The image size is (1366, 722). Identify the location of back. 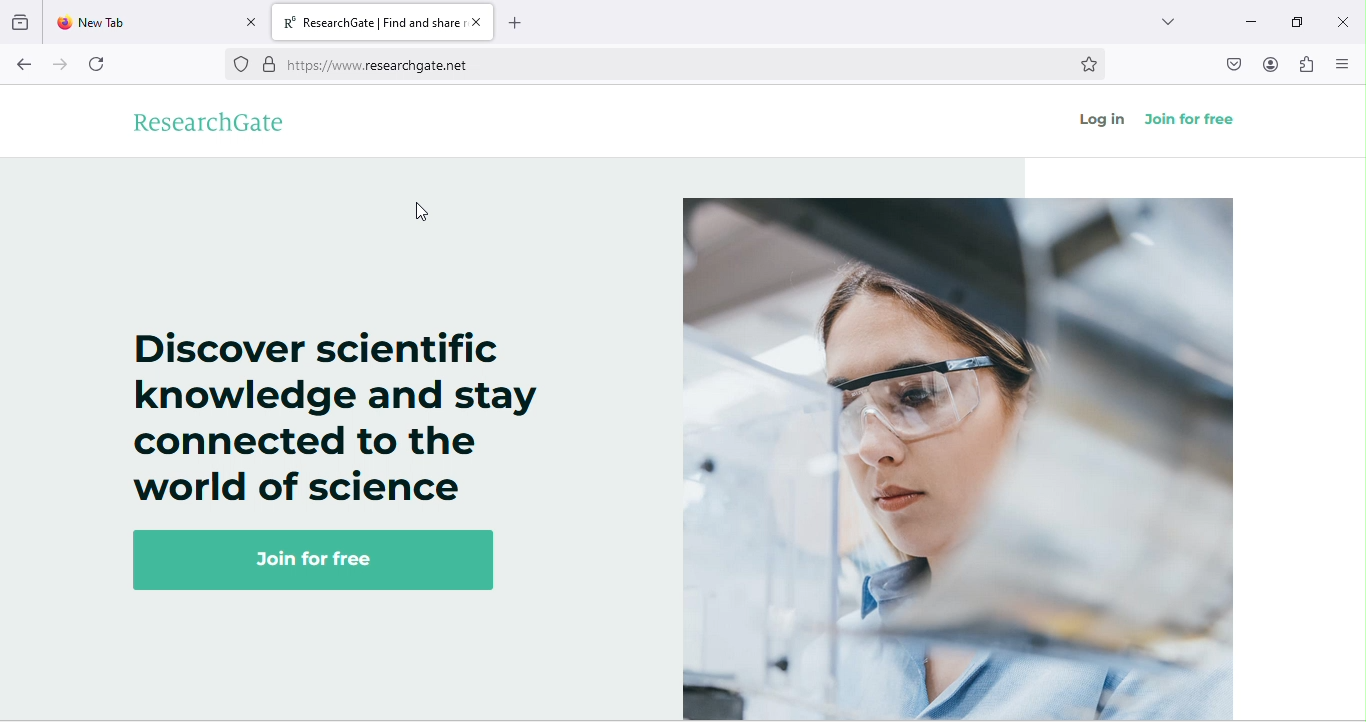
(25, 66).